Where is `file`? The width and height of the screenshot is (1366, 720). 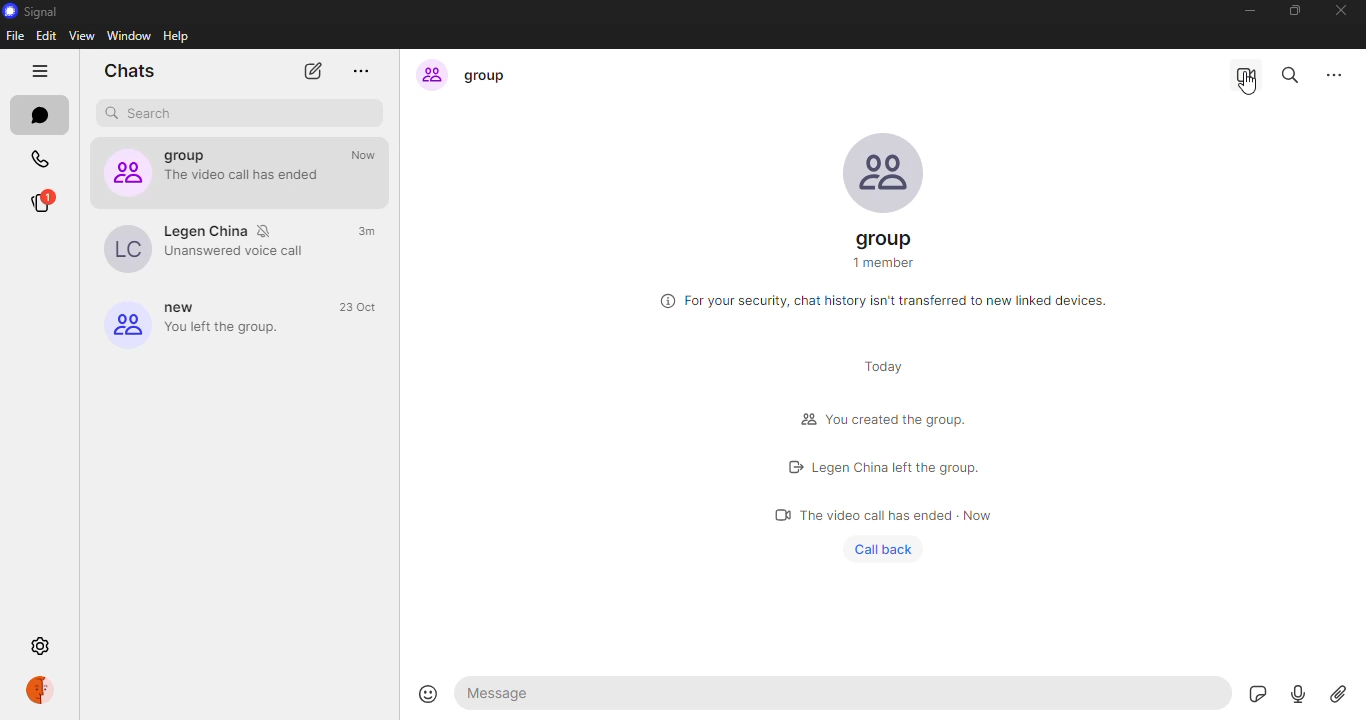
file is located at coordinates (18, 35).